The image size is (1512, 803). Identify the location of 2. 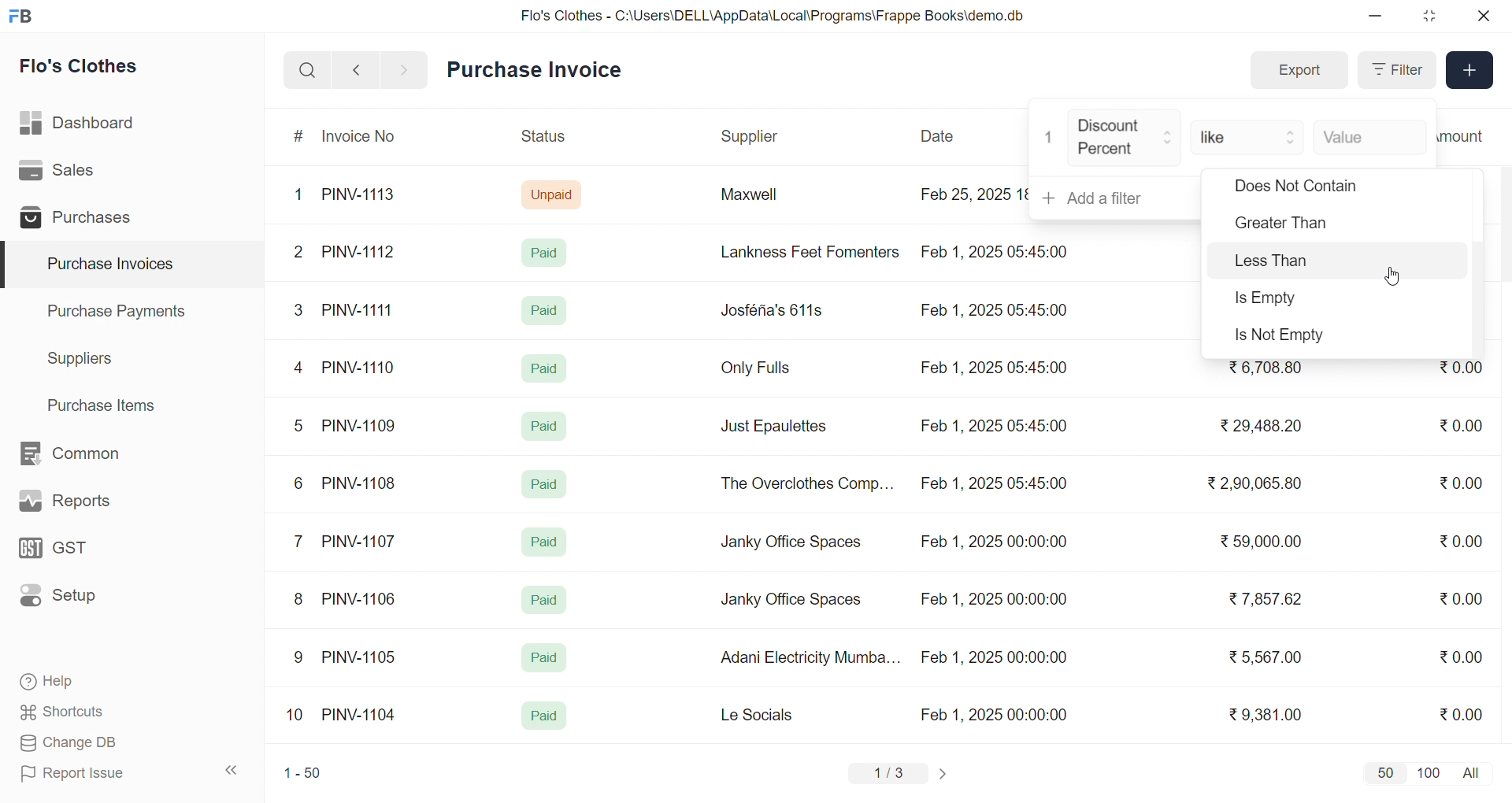
(301, 254).